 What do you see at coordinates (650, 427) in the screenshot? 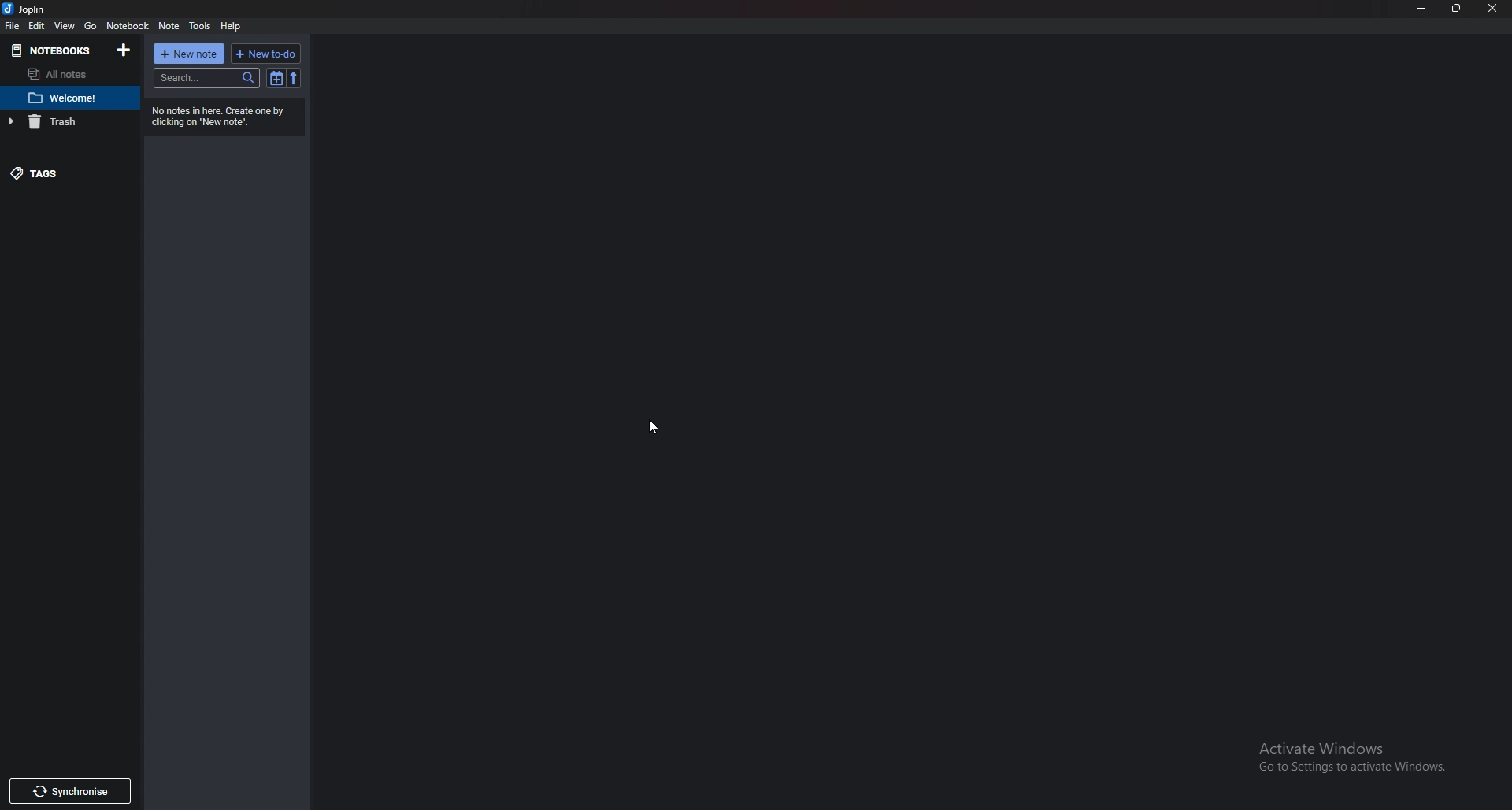
I see `cursor` at bounding box center [650, 427].